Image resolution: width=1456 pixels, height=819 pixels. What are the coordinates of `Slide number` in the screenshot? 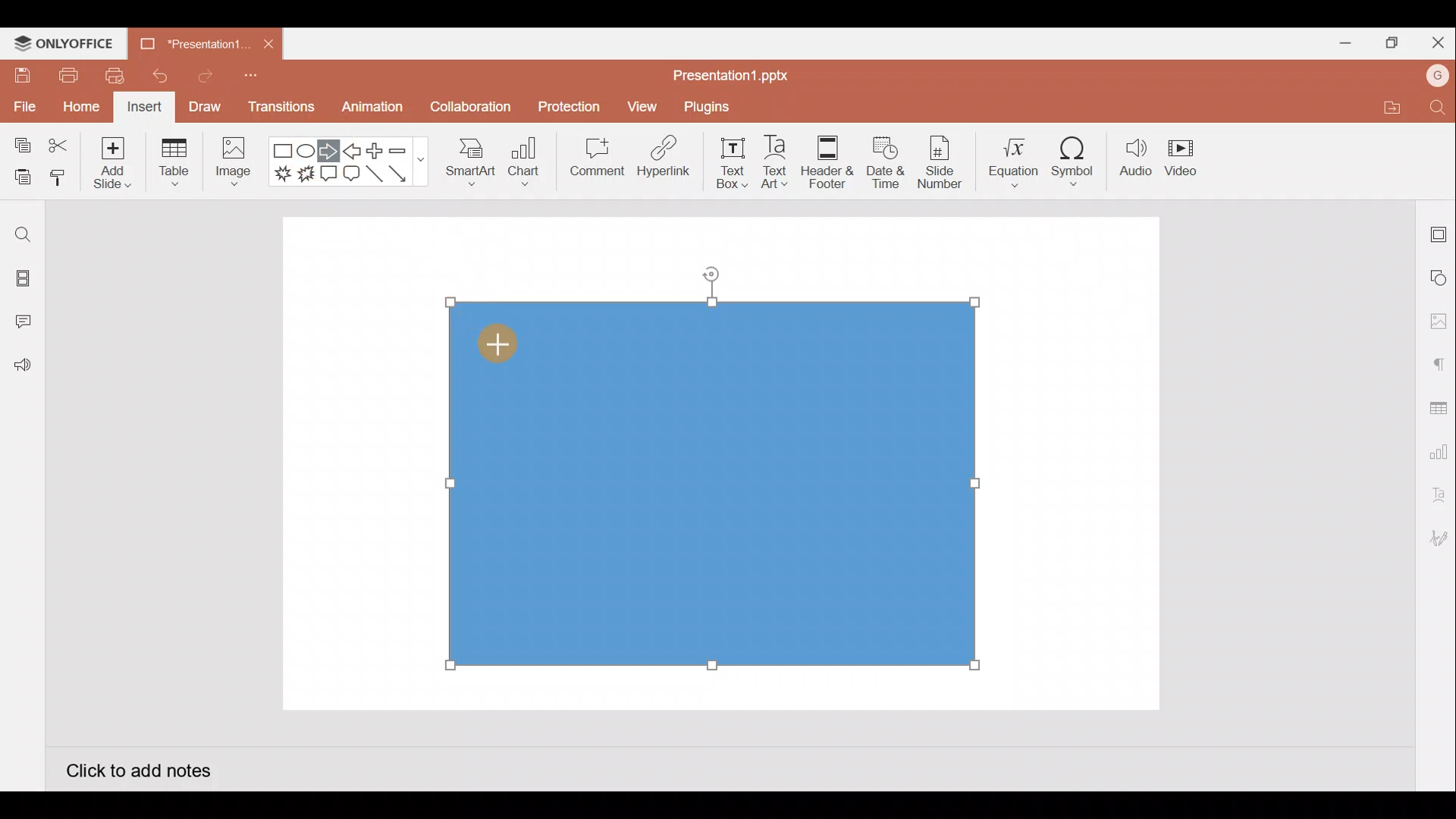 It's located at (939, 162).